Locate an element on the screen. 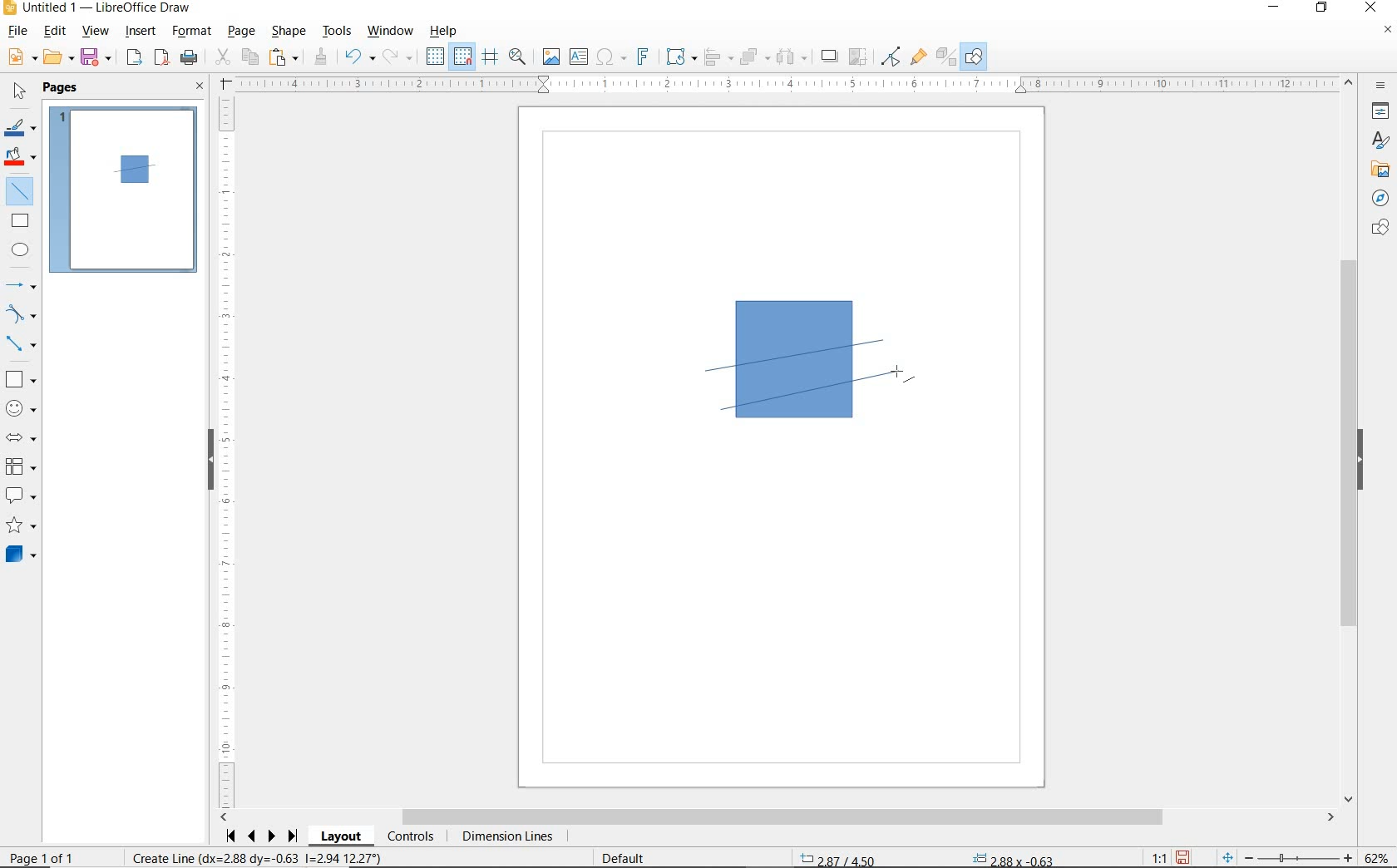  TRANSFORMATIONS is located at coordinates (679, 57).